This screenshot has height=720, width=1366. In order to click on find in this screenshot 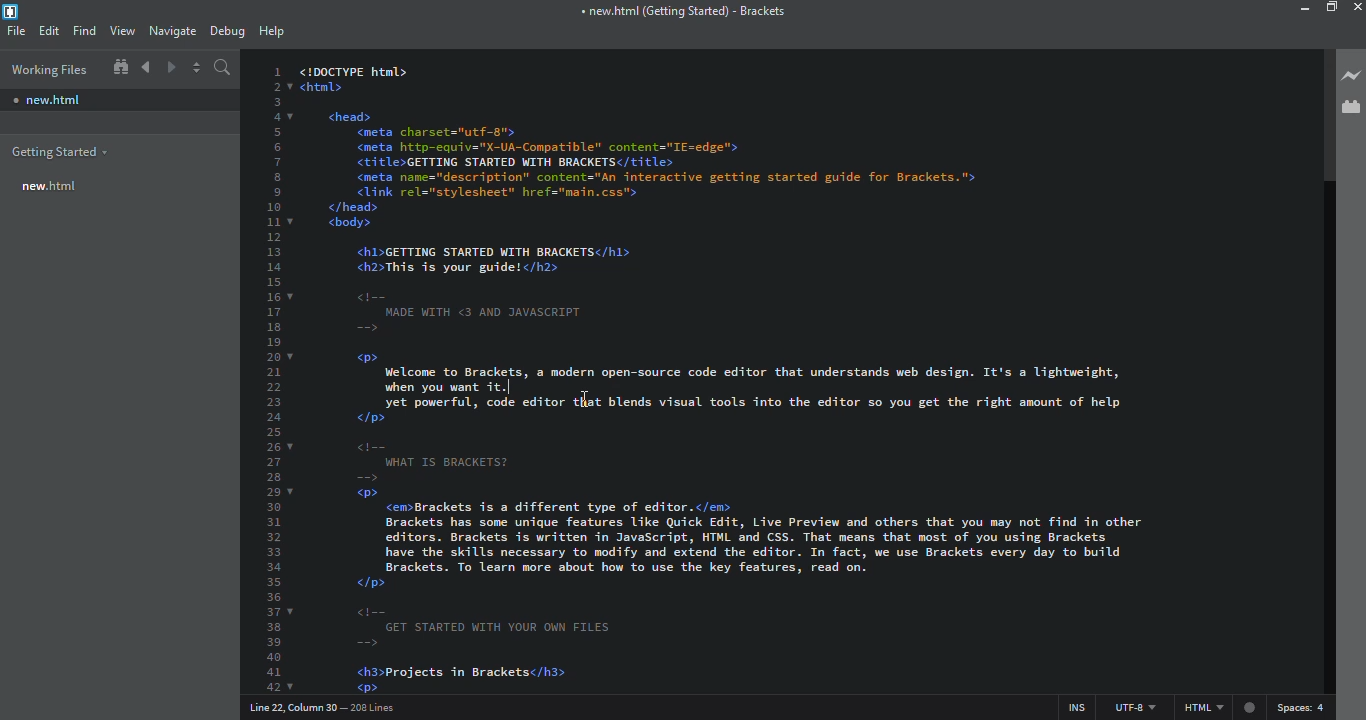, I will do `click(85, 31)`.